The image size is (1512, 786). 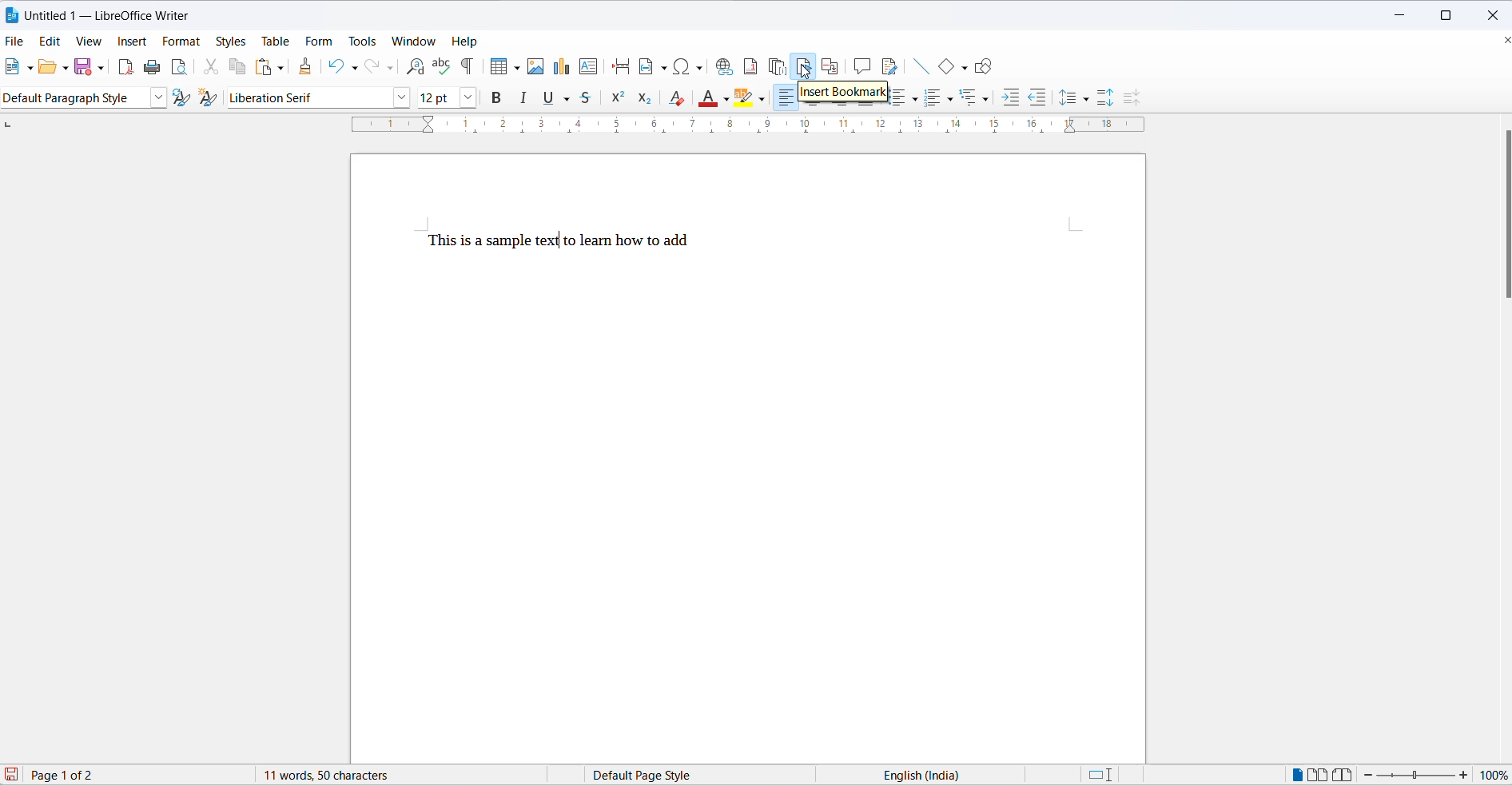 What do you see at coordinates (1009, 95) in the screenshot?
I see `increase indent` at bounding box center [1009, 95].